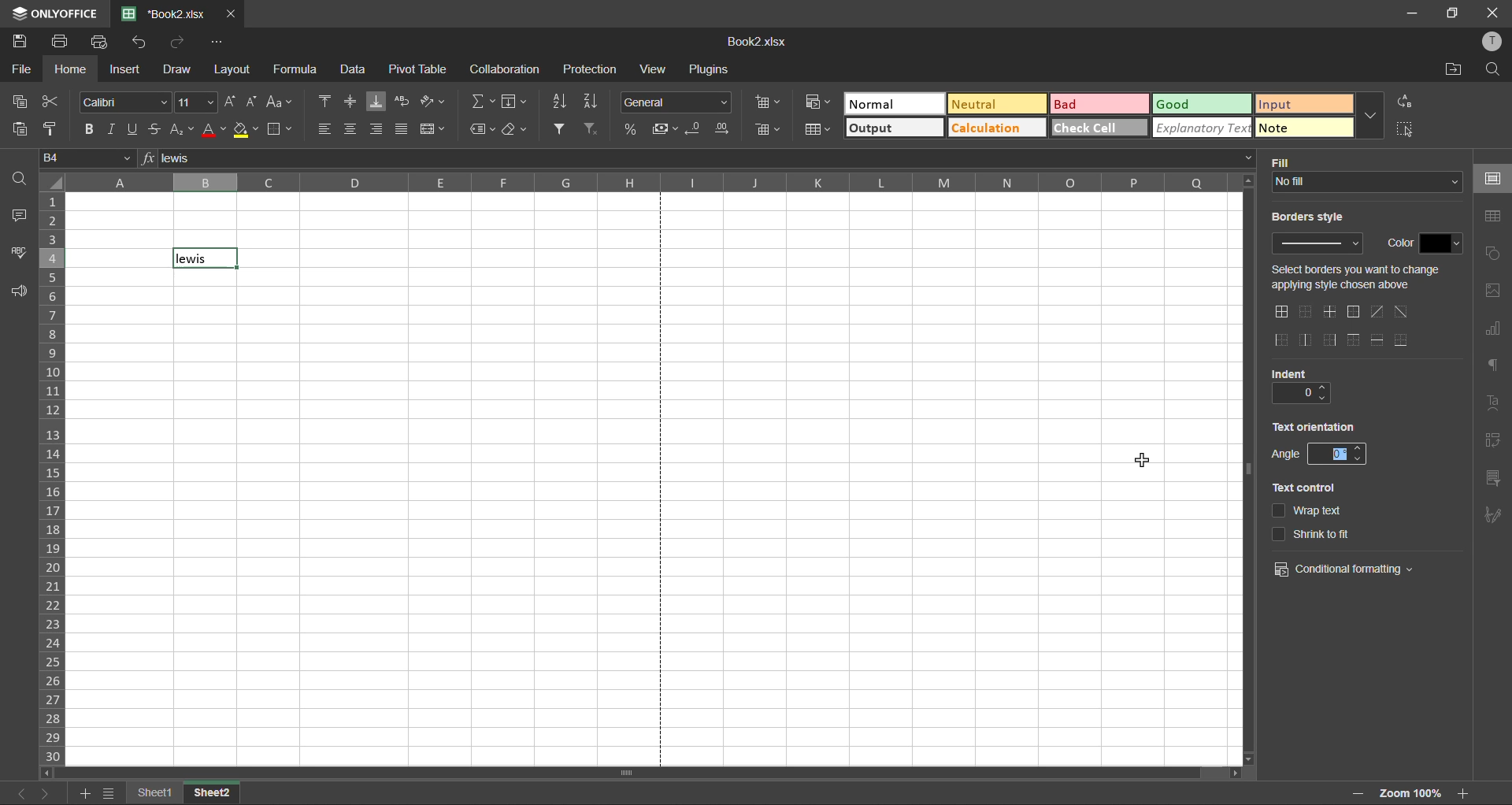 Image resolution: width=1512 pixels, height=805 pixels. I want to click on collaboration, so click(505, 71).